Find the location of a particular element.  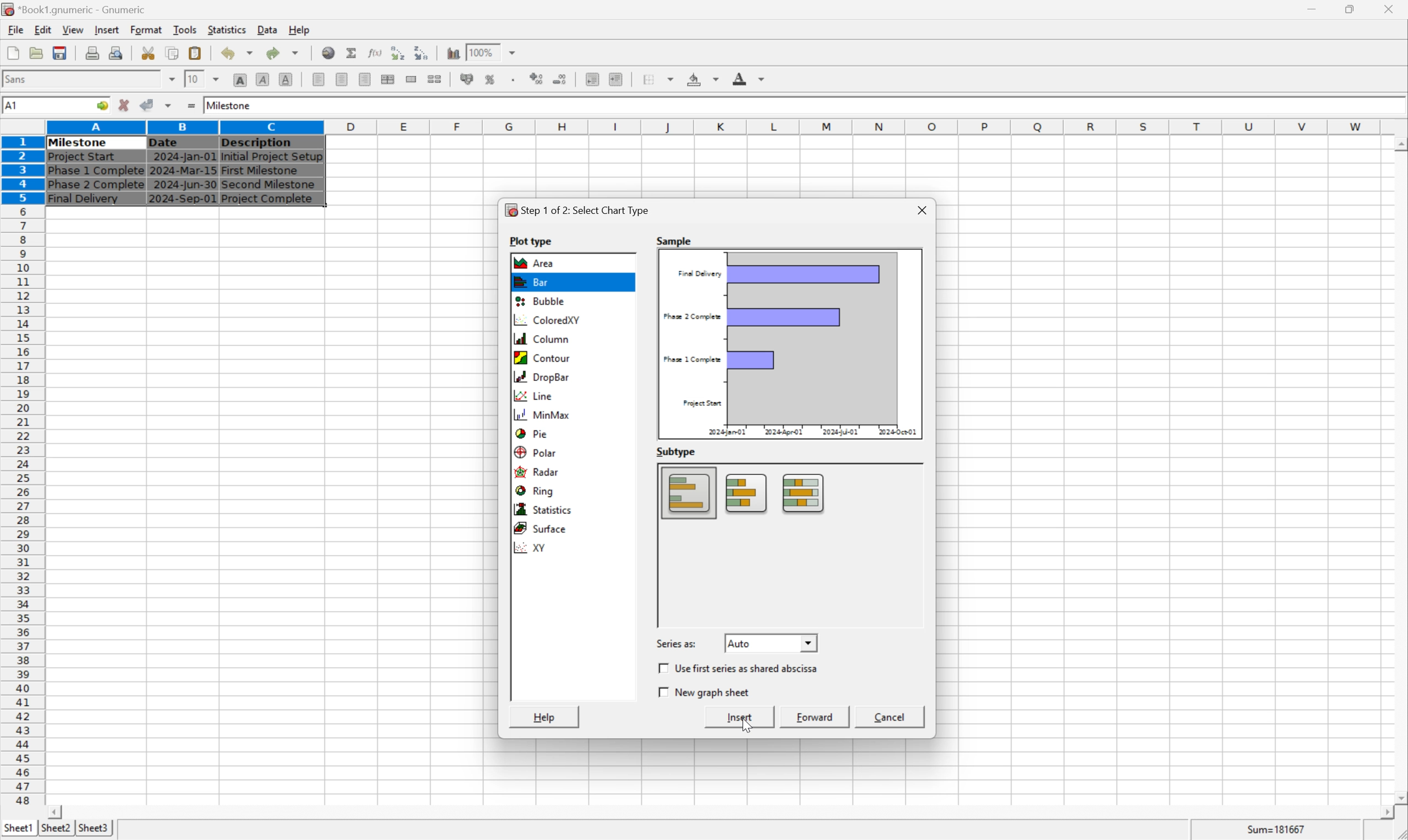

Sans is located at coordinates (19, 78).